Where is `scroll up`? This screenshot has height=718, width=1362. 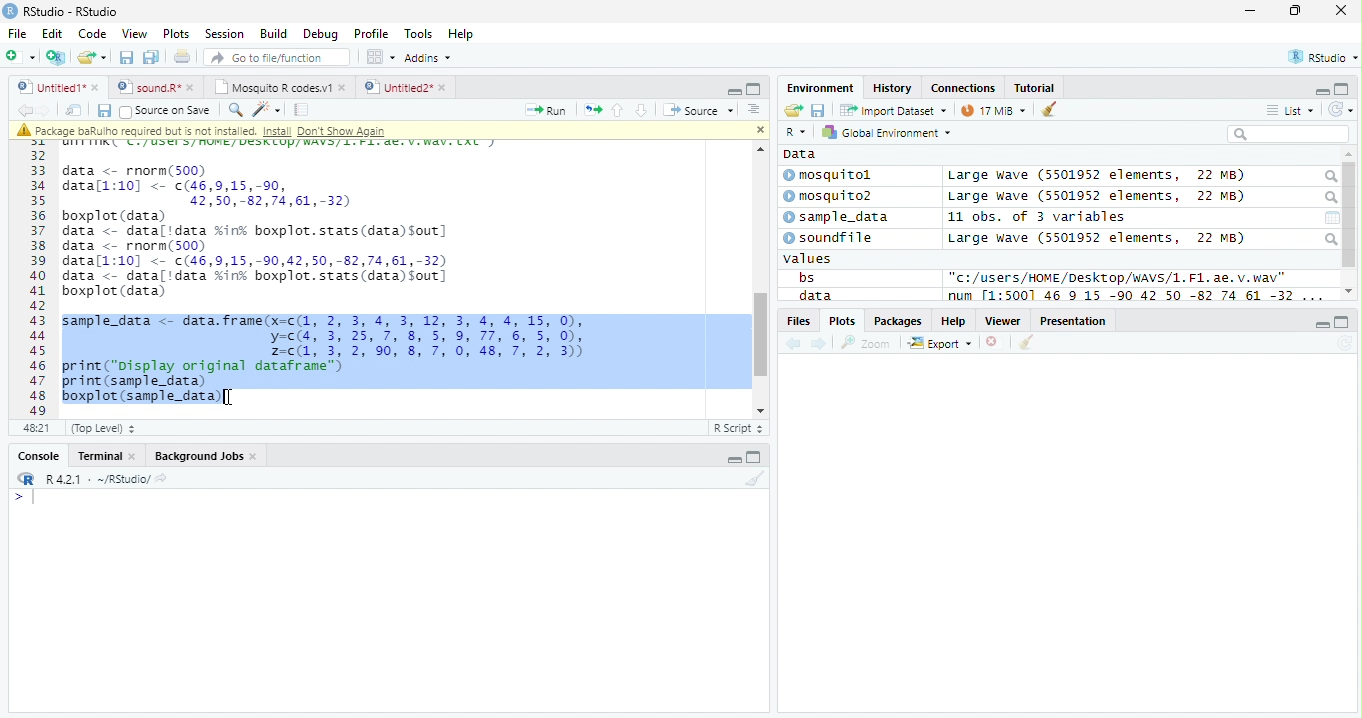
scroll up is located at coordinates (758, 149).